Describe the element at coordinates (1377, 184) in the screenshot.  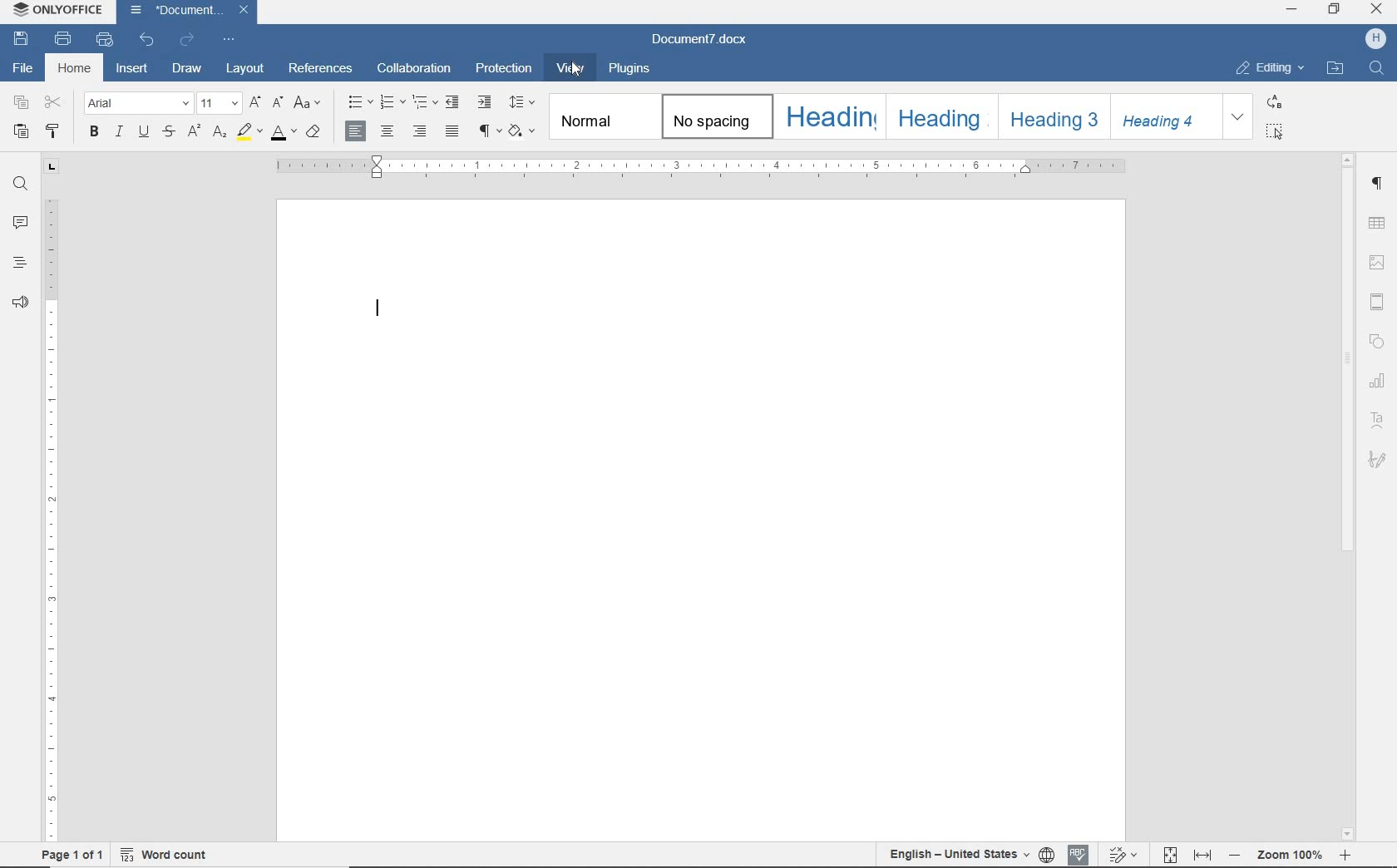
I see `PARAGRAPH SETTINGS` at that location.